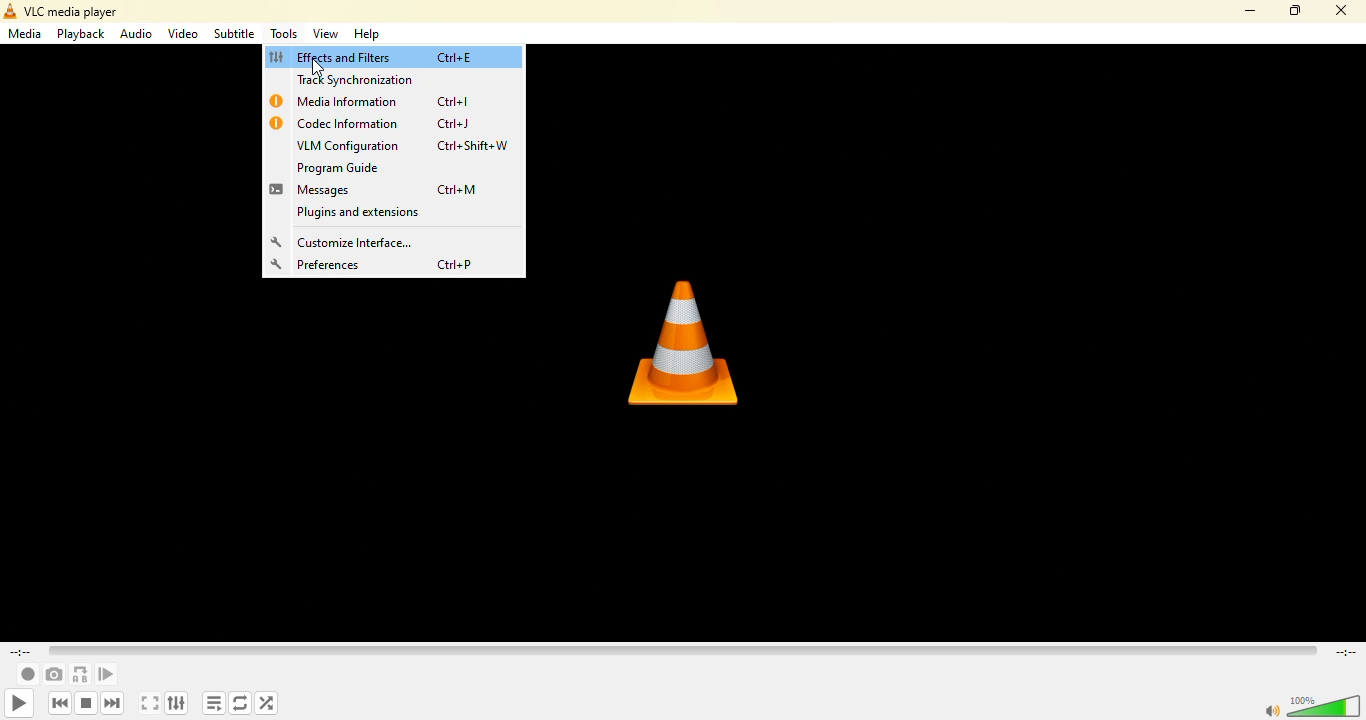  What do you see at coordinates (1293, 9) in the screenshot?
I see `maximize` at bounding box center [1293, 9].